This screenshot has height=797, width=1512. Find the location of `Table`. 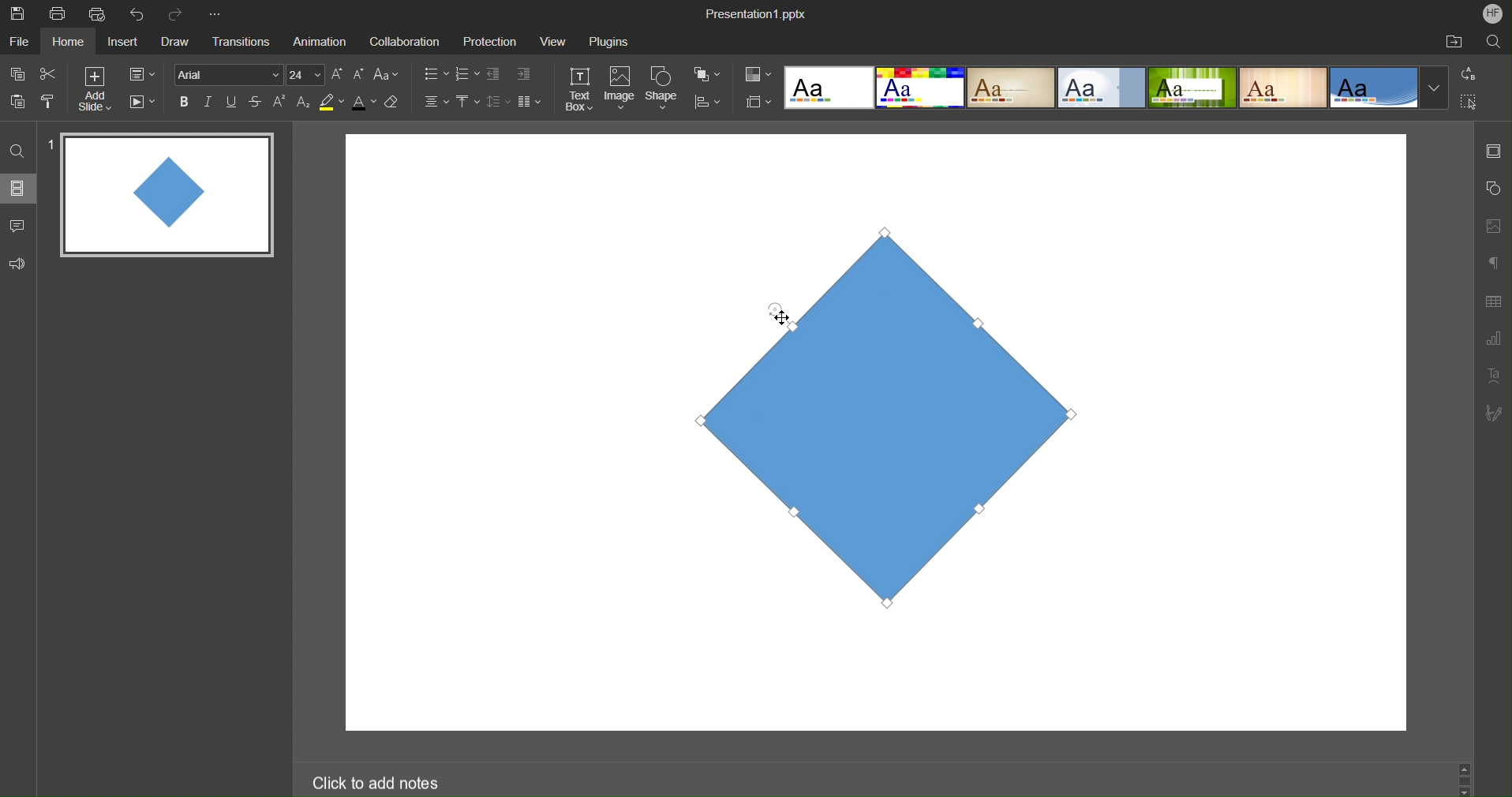

Table is located at coordinates (1494, 301).